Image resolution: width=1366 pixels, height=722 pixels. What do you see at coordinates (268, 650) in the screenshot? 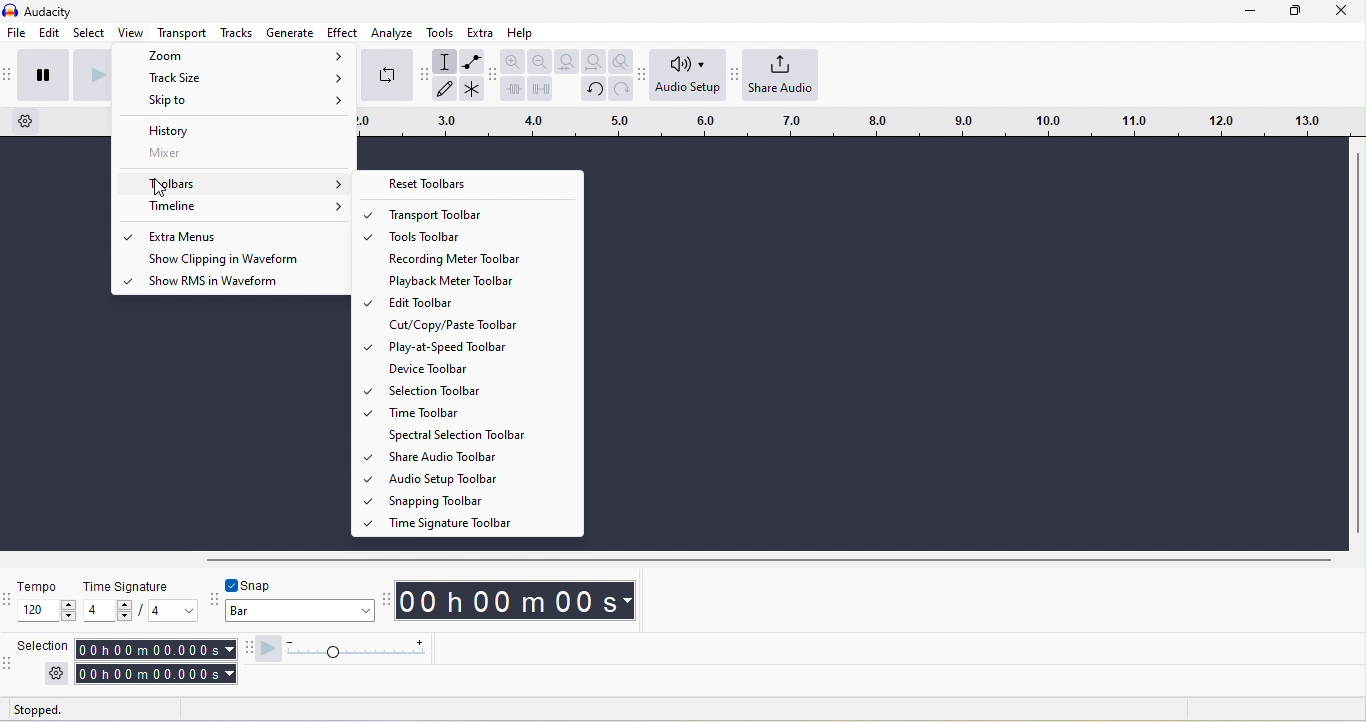
I see `play at speed` at bounding box center [268, 650].